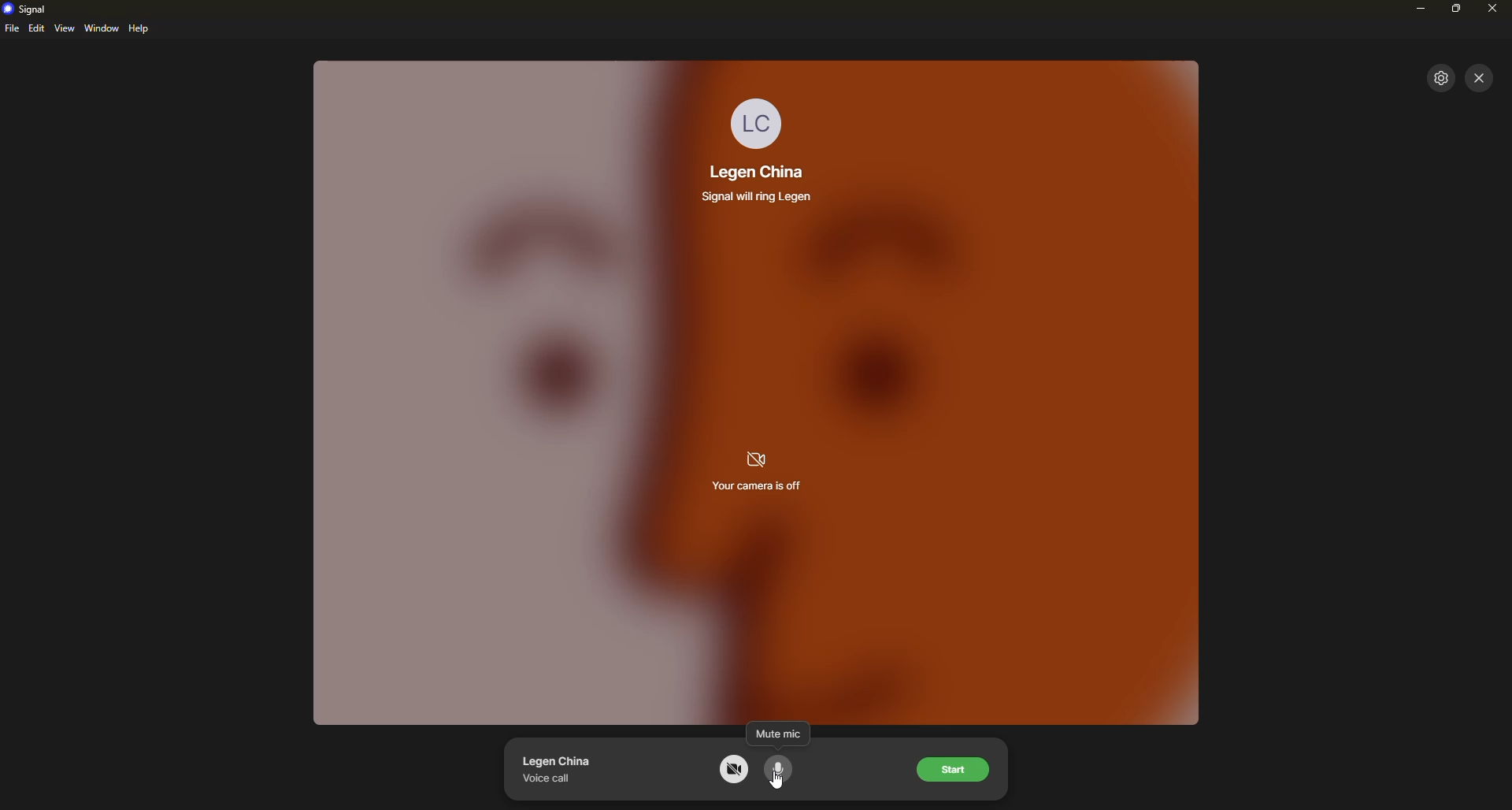 The width and height of the screenshot is (1512, 810). Describe the element at coordinates (754, 172) in the screenshot. I see `contact` at that location.